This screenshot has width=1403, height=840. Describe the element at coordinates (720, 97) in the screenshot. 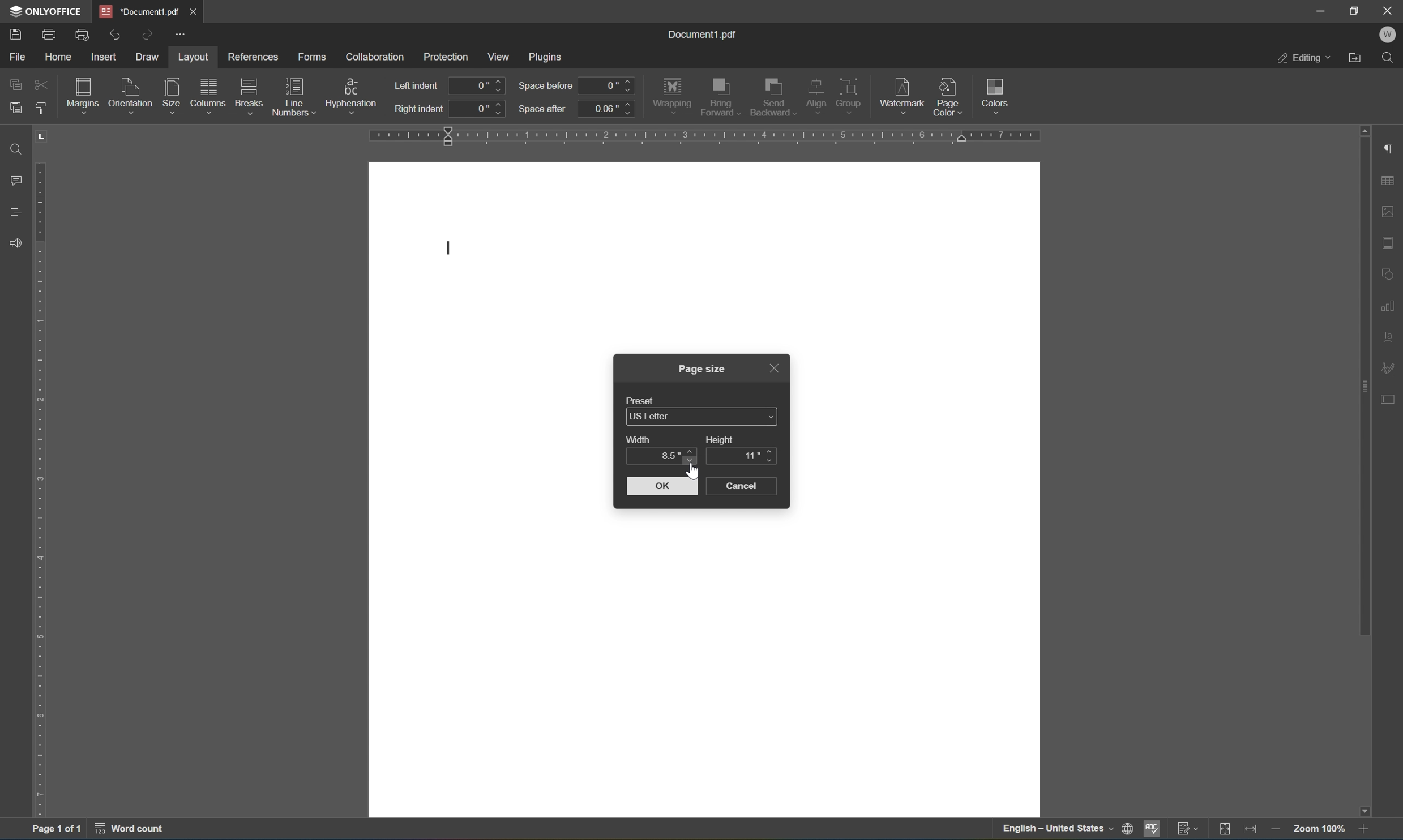

I see `bring forward` at that location.